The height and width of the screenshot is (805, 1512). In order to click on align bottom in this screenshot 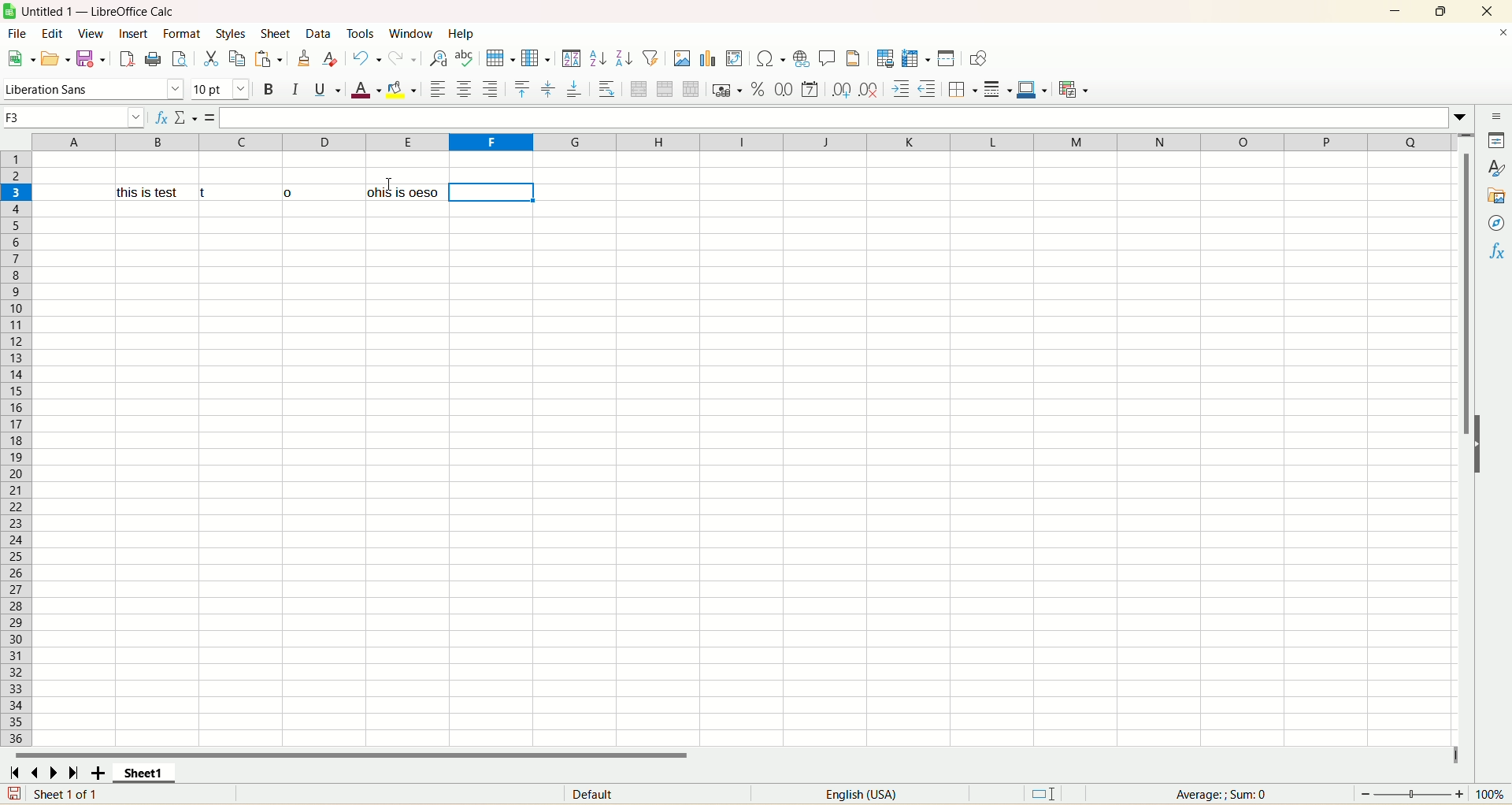, I will do `click(577, 89)`.